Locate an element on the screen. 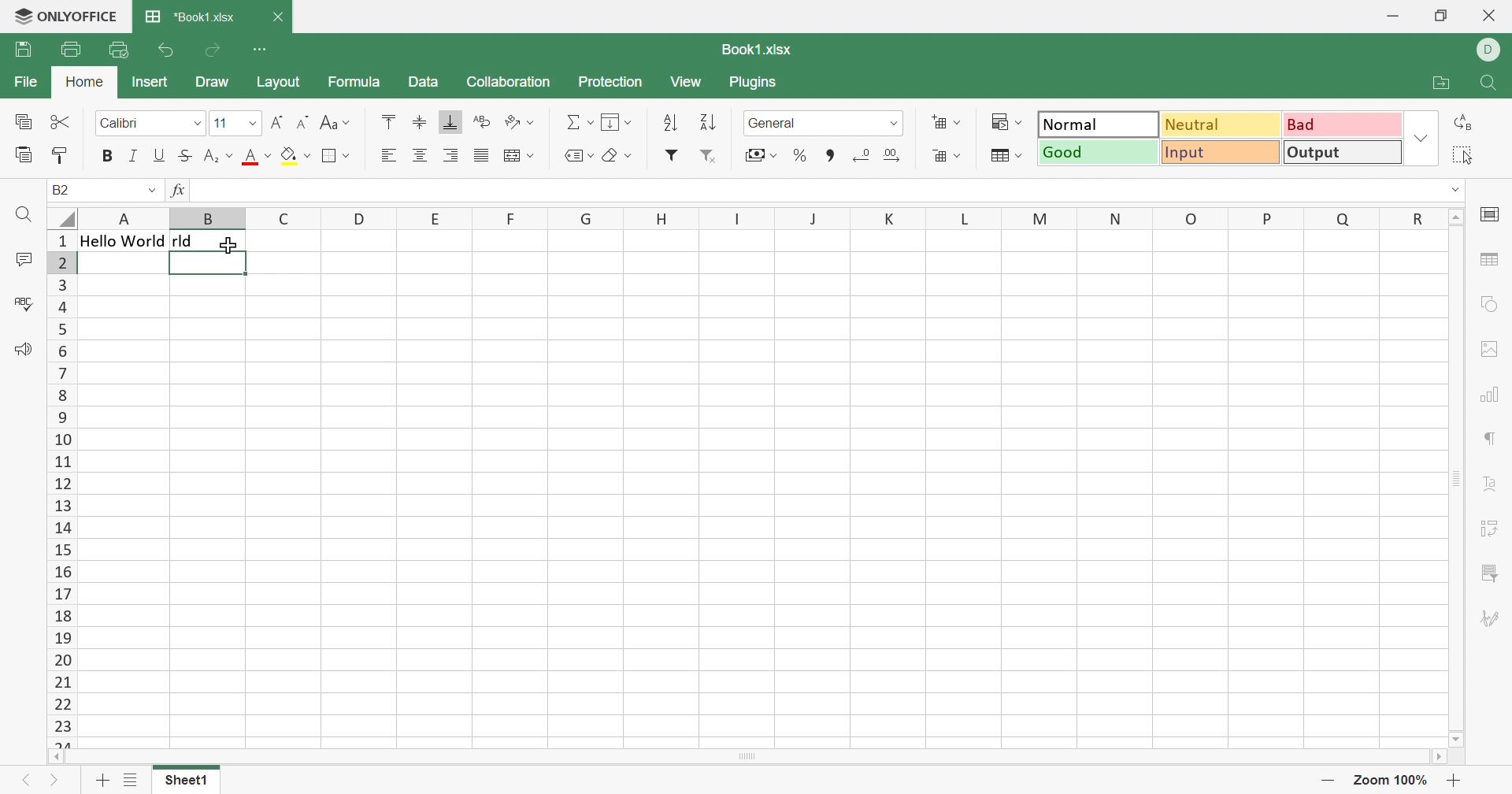 The image size is (1512, 794). table settings is located at coordinates (1488, 260).